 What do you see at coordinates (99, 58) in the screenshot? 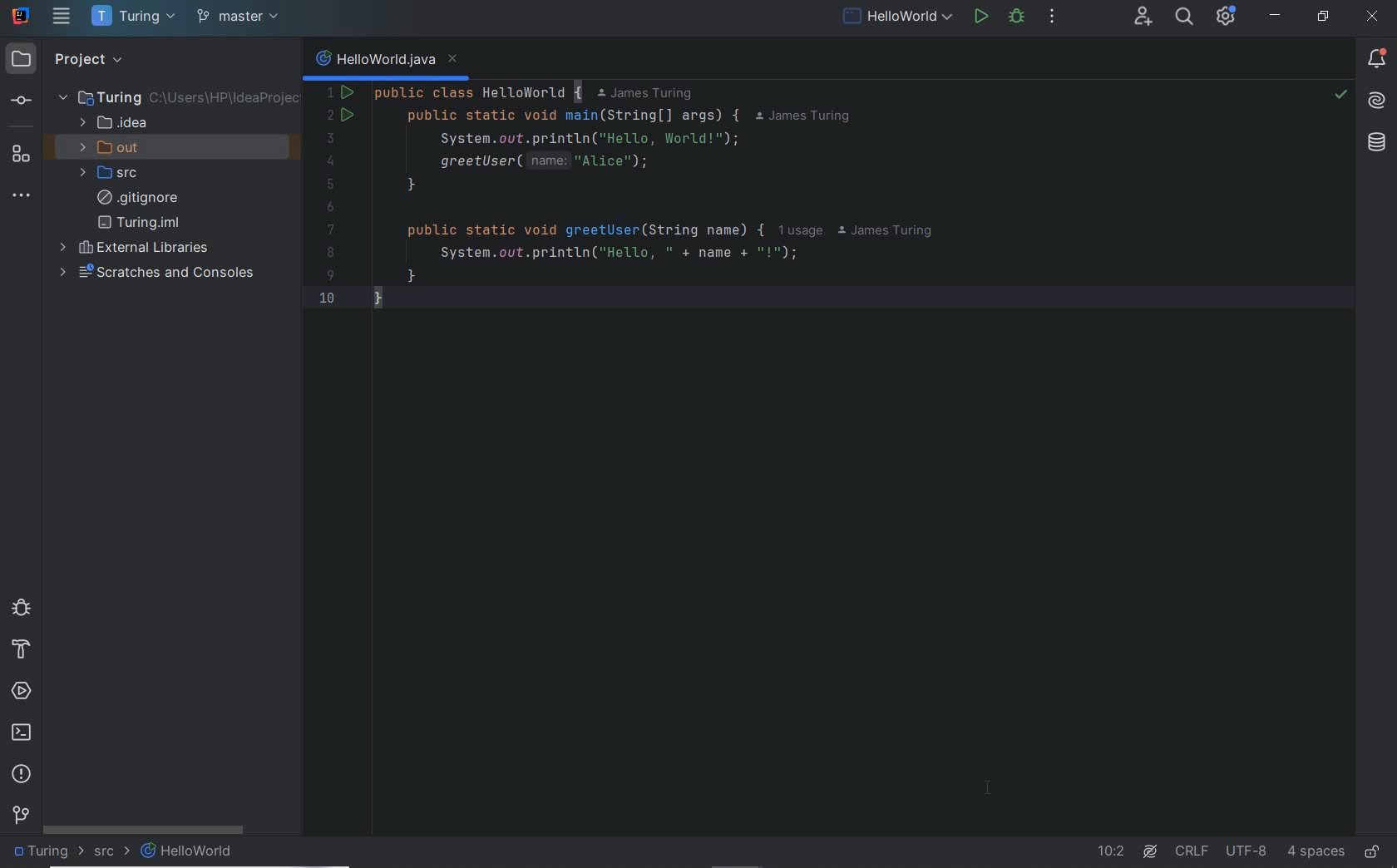
I see `project` at bounding box center [99, 58].